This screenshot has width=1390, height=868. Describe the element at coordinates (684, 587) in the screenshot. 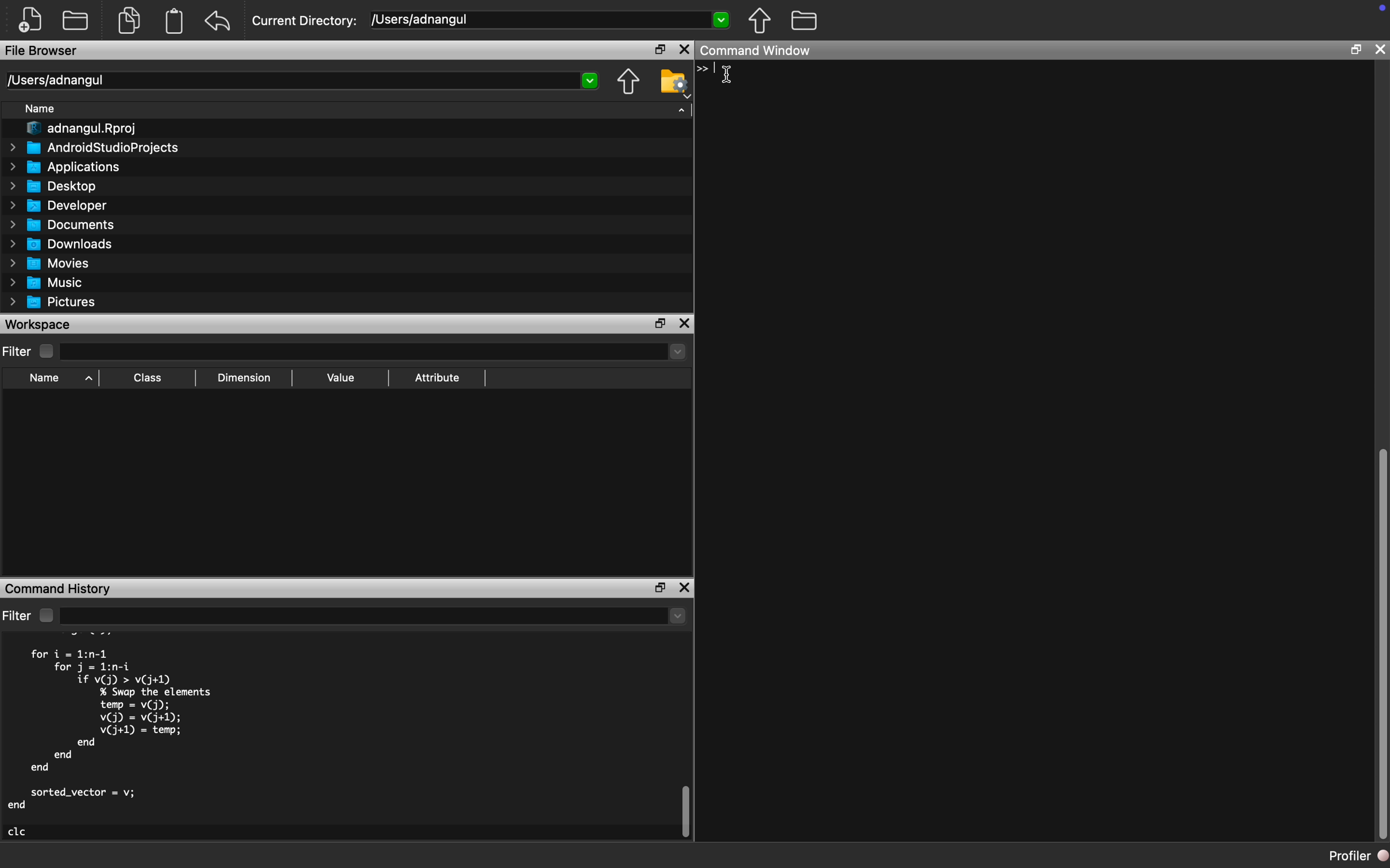

I see `Close` at that location.